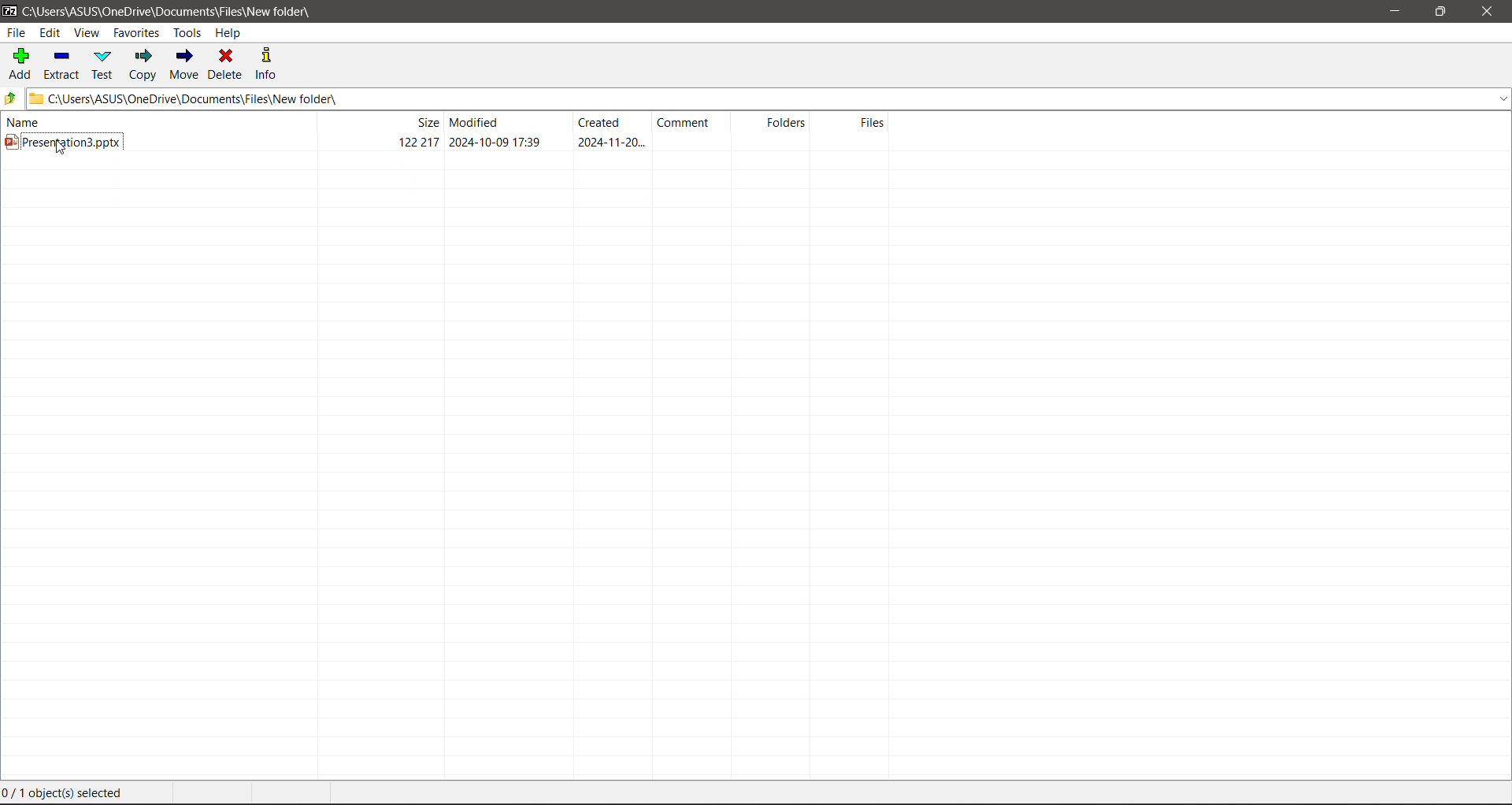  What do you see at coordinates (613, 124) in the screenshot?
I see `Created Date` at bounding box center [613, 124].